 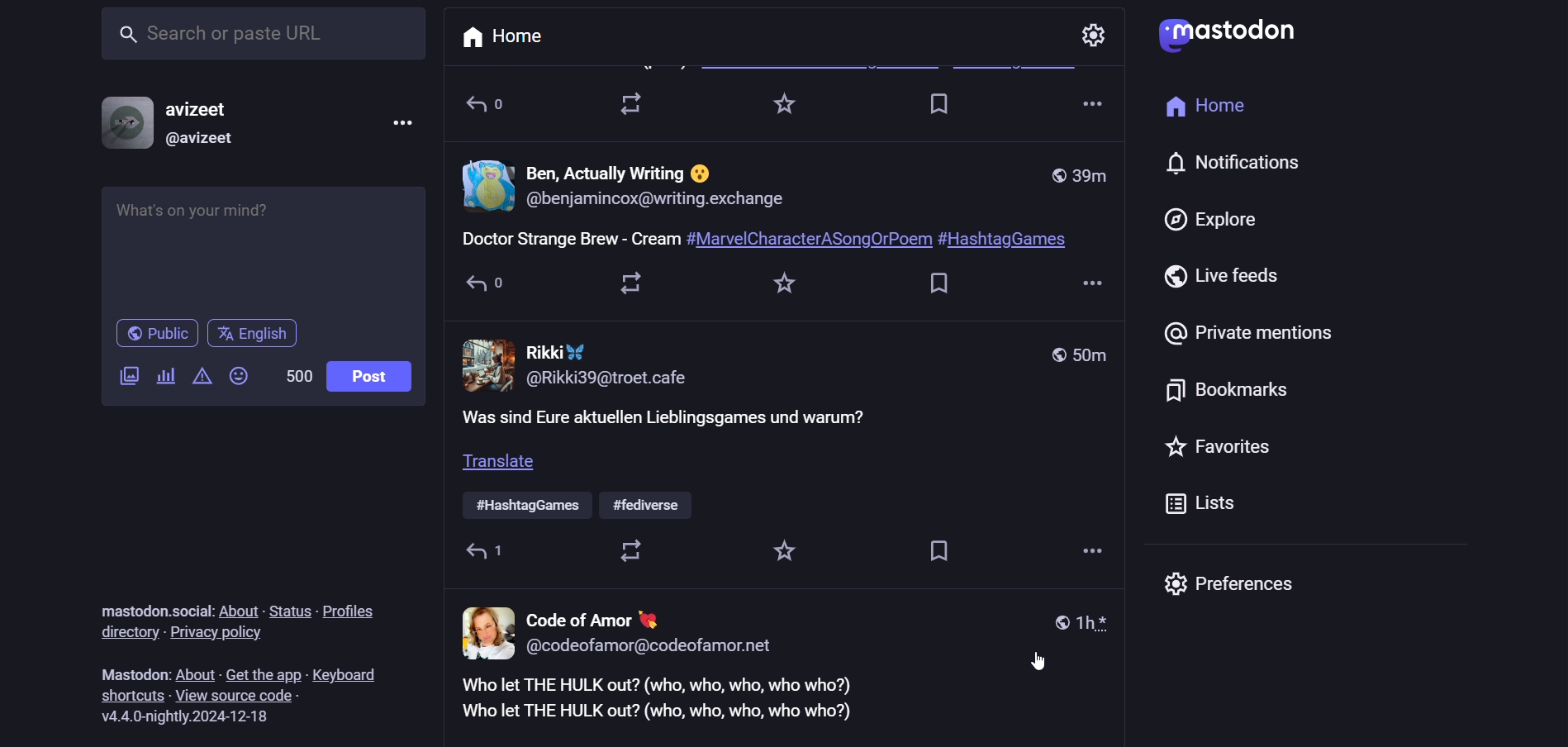 I want to click on version, so click(x=194, y=717).